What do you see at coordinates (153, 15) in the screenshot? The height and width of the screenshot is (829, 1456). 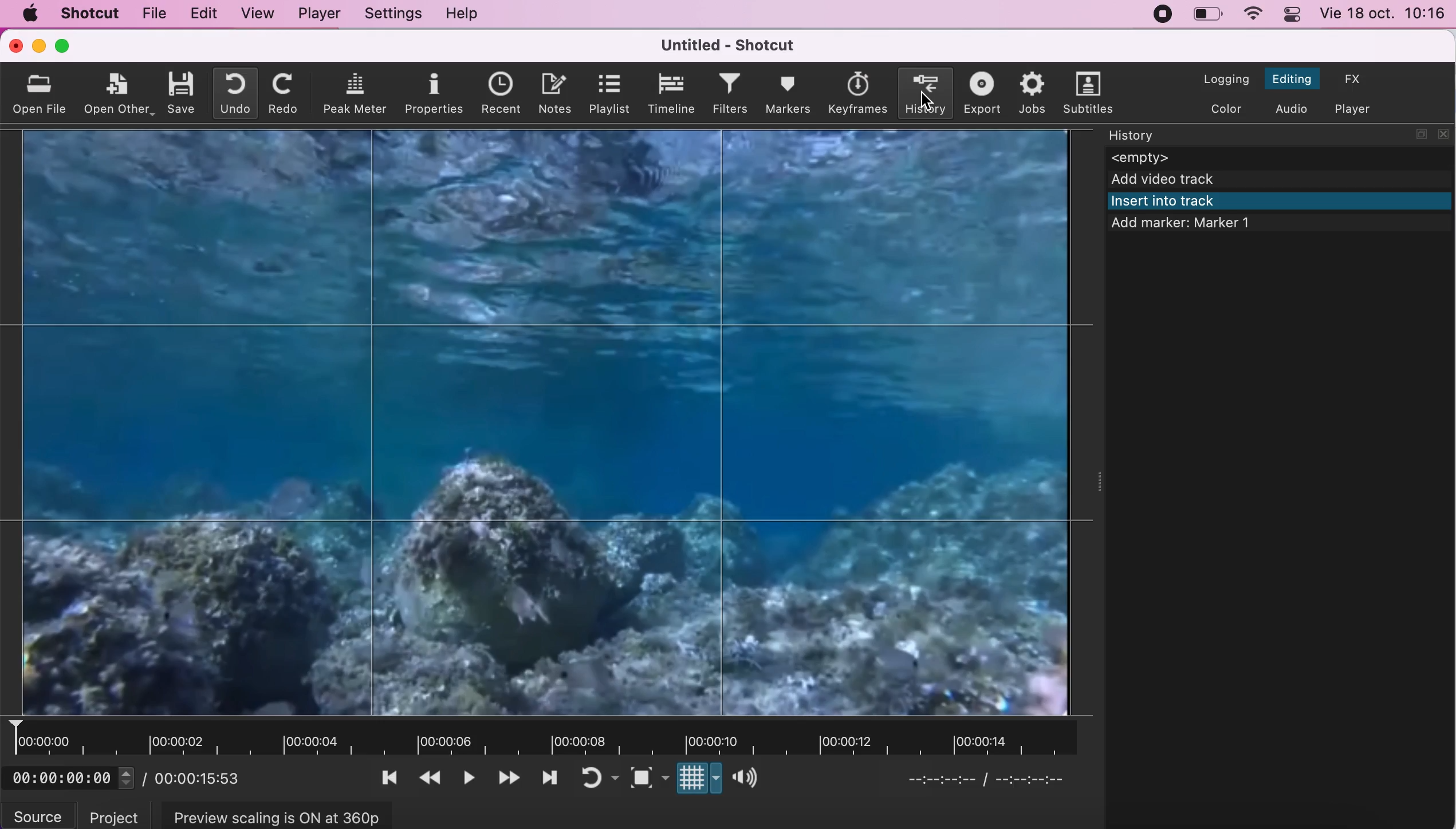 I see `file` at bounding box center [153, 15].